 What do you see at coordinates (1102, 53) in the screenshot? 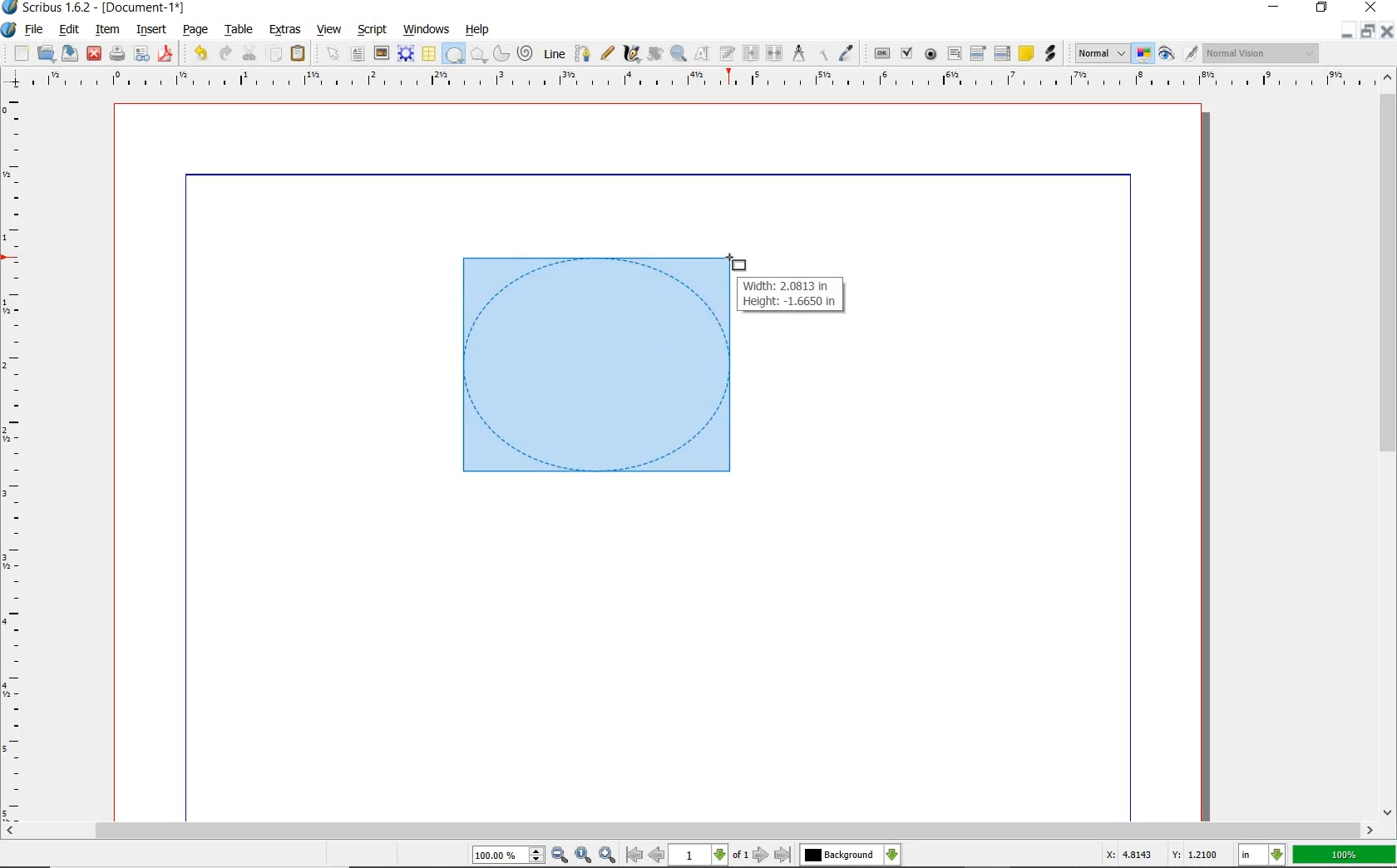
I see `SELECT THE IMAGE PREVIEW QUALITY` at bounding box center [1102, 53].